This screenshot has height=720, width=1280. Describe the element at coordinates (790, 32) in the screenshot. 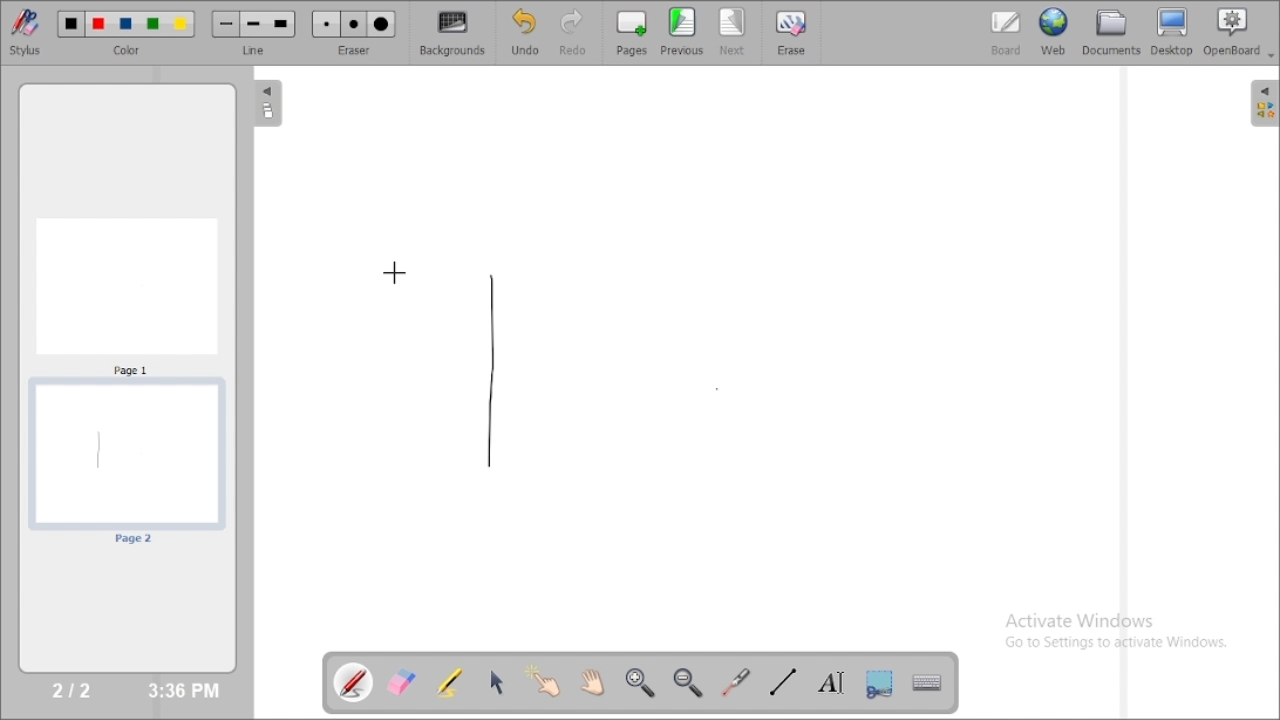

I see `erase` at that location.